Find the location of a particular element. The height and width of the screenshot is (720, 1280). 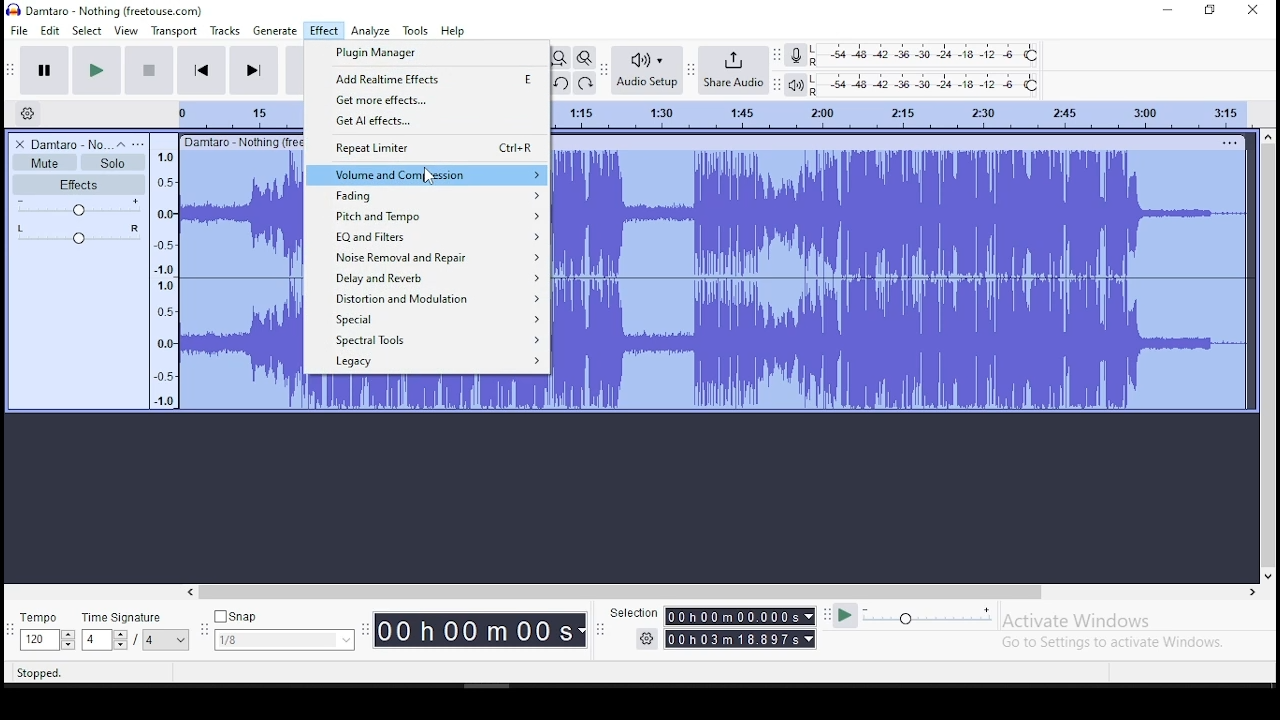

skip to end is located at coordinates (253, 71).